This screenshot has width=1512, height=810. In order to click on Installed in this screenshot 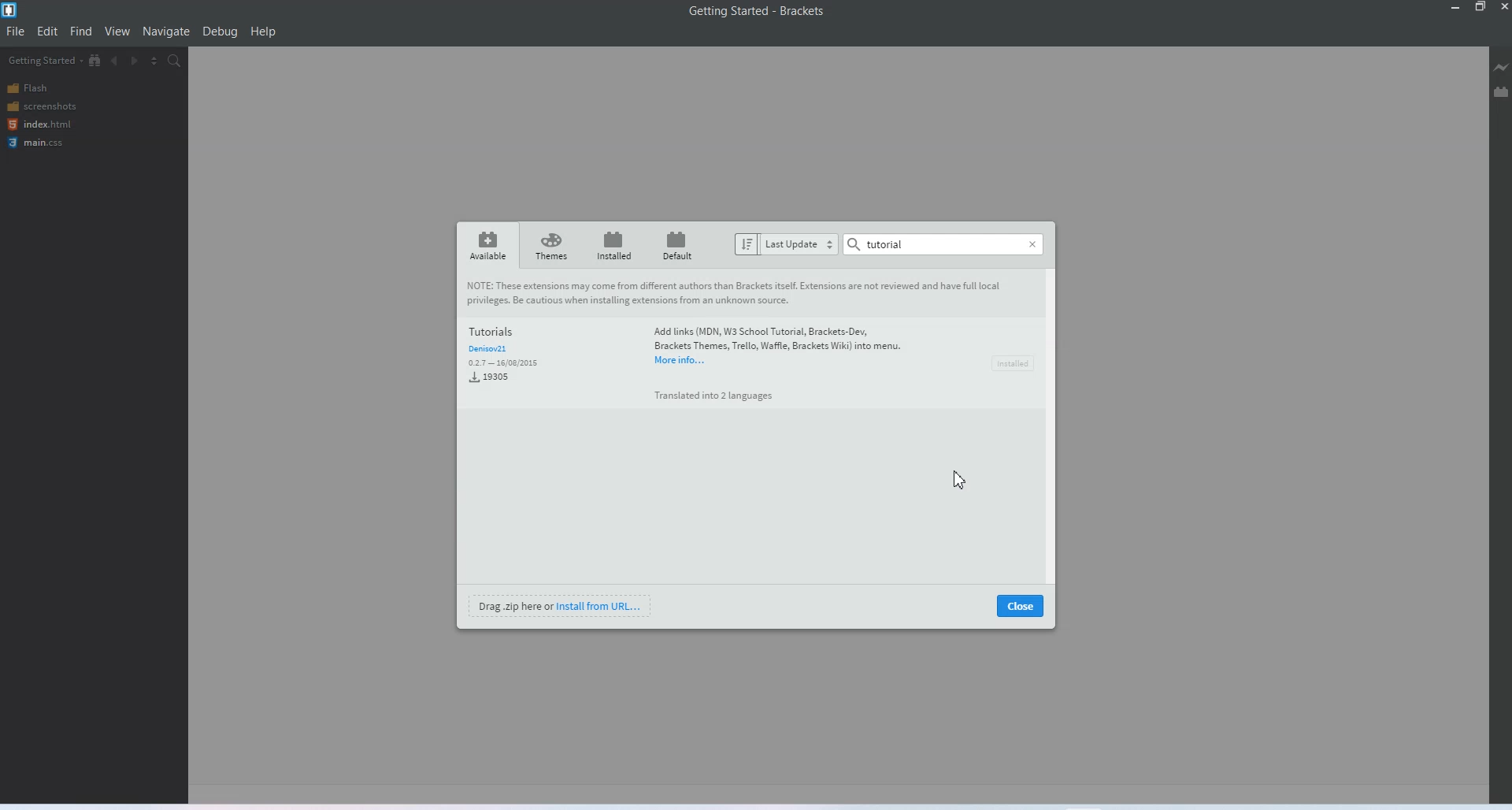, I will do `click(611, 245)`.